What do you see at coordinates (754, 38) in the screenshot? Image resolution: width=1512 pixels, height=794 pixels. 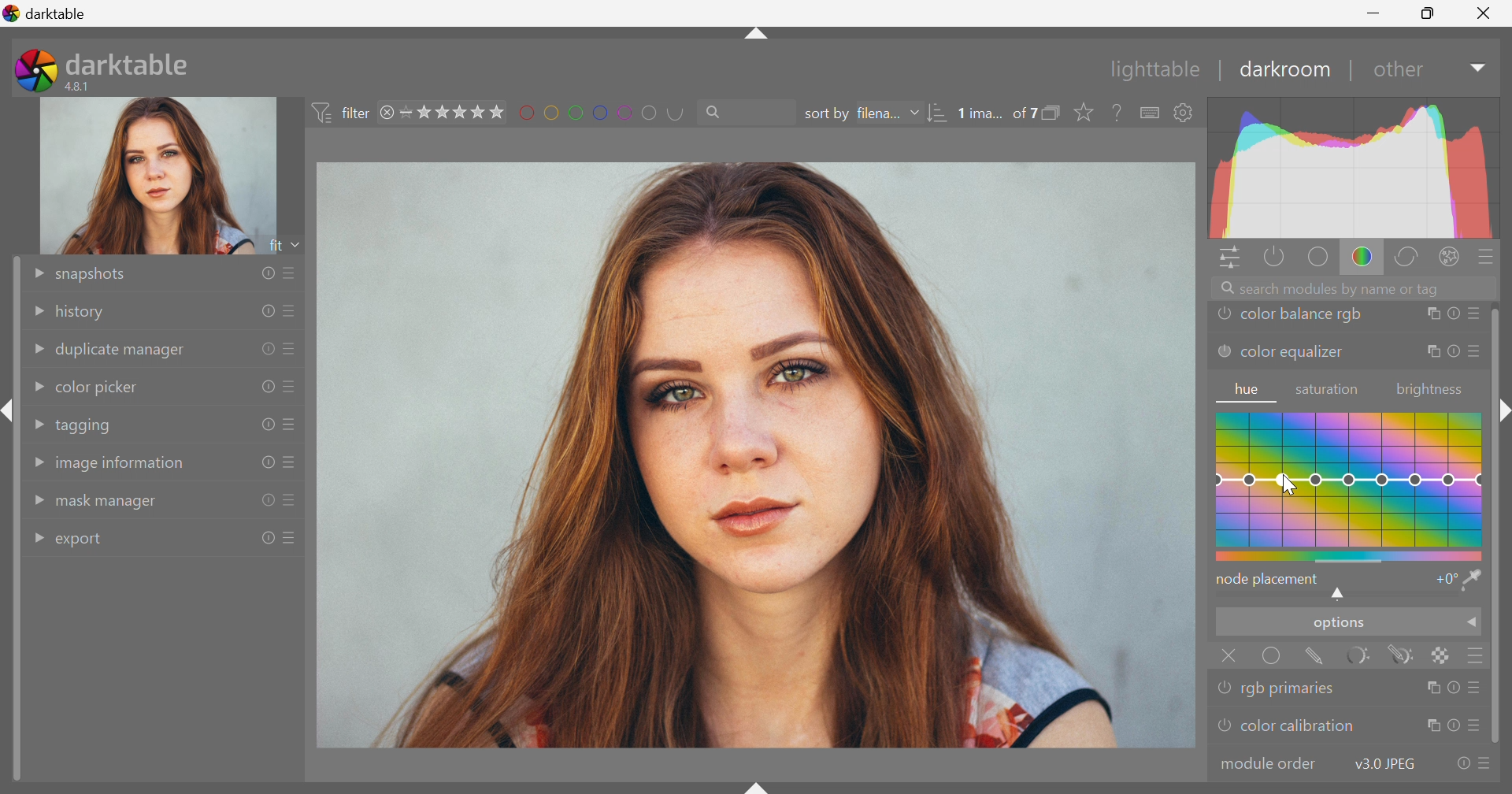 I see `shift+ctrl+t` at bounding box center [754, 38].